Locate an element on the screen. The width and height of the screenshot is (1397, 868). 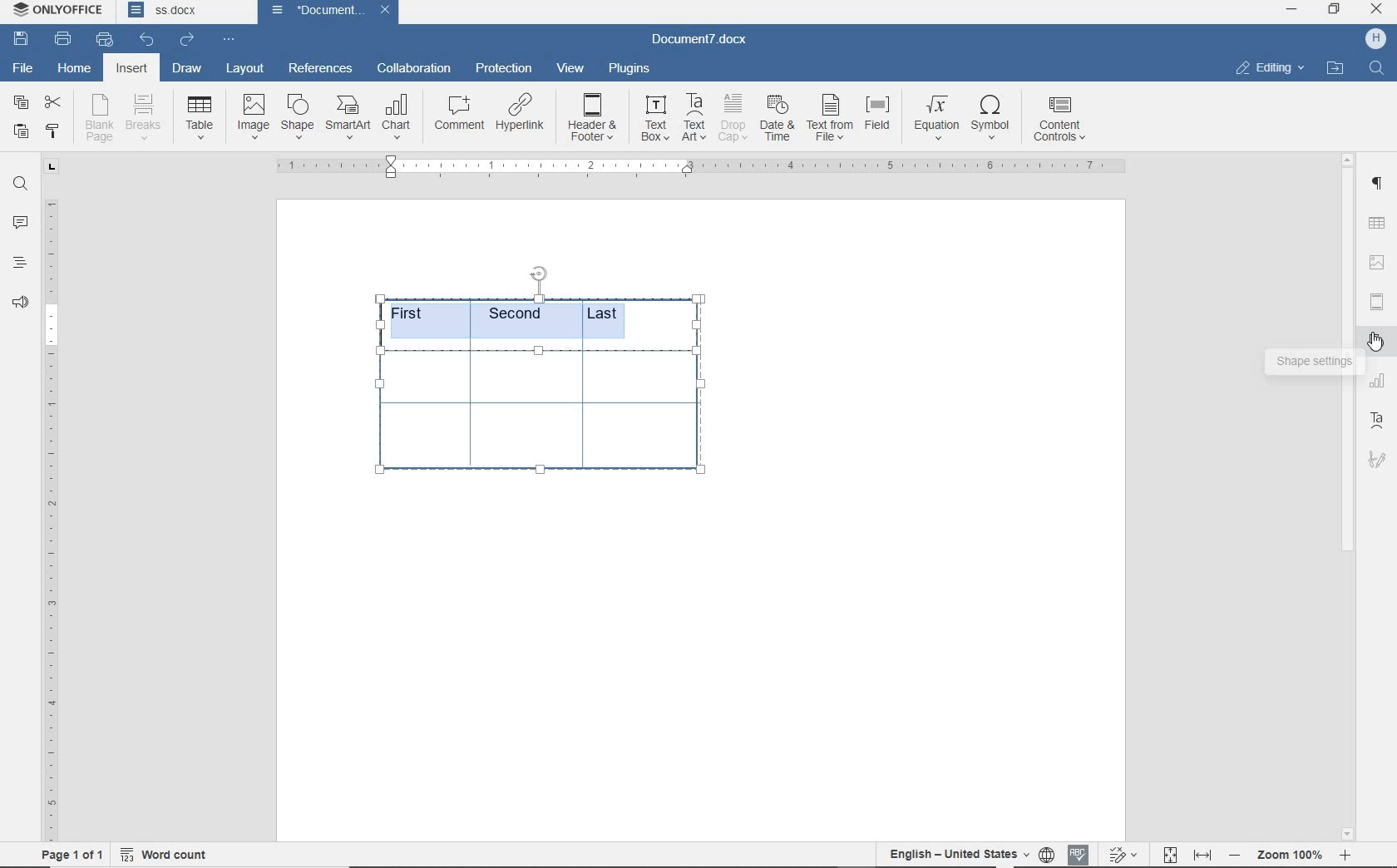
text box is located at coordinates (654, 118).